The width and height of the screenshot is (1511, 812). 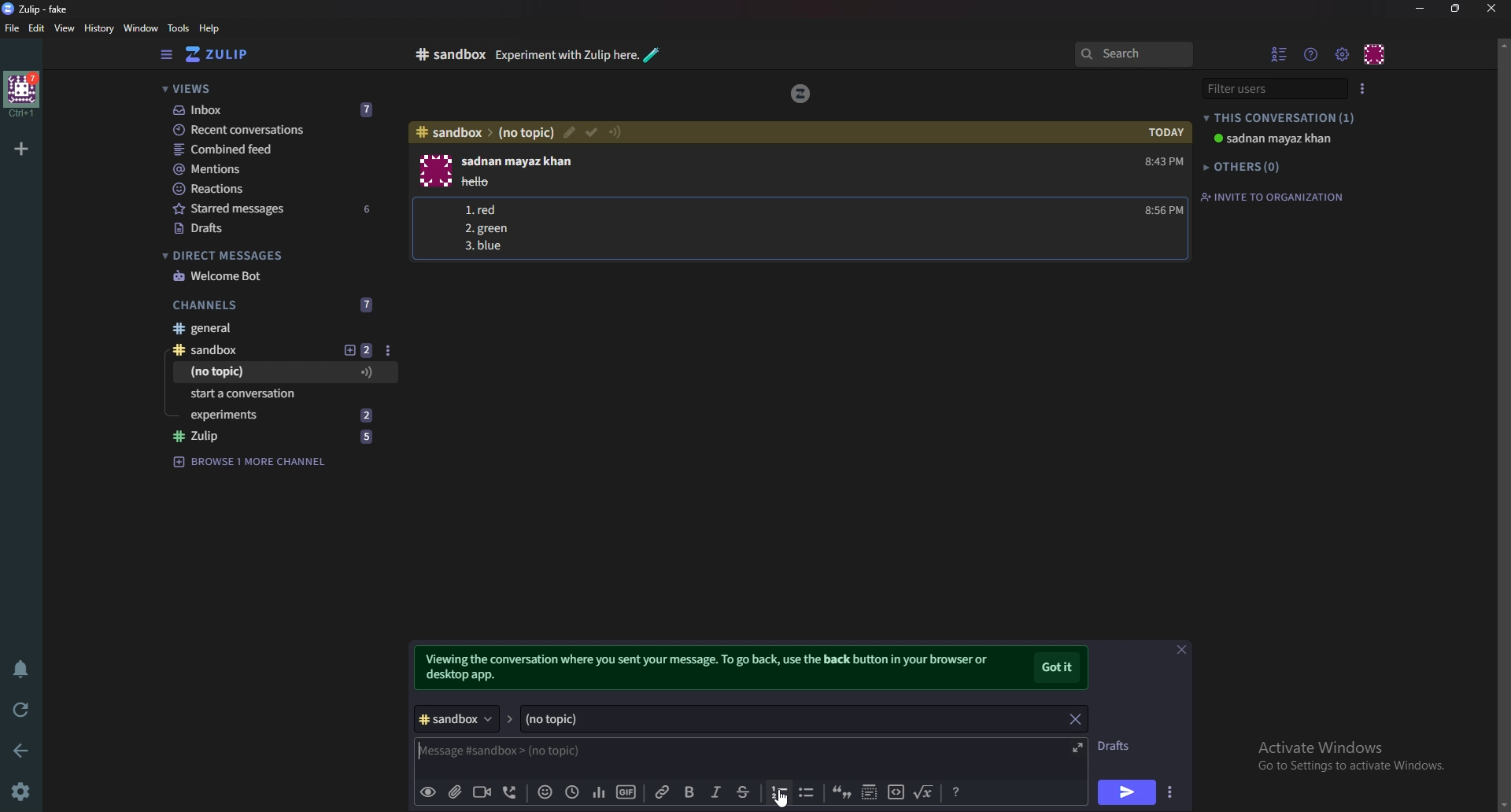 I want to click on Views, so click(x=269, y=90).